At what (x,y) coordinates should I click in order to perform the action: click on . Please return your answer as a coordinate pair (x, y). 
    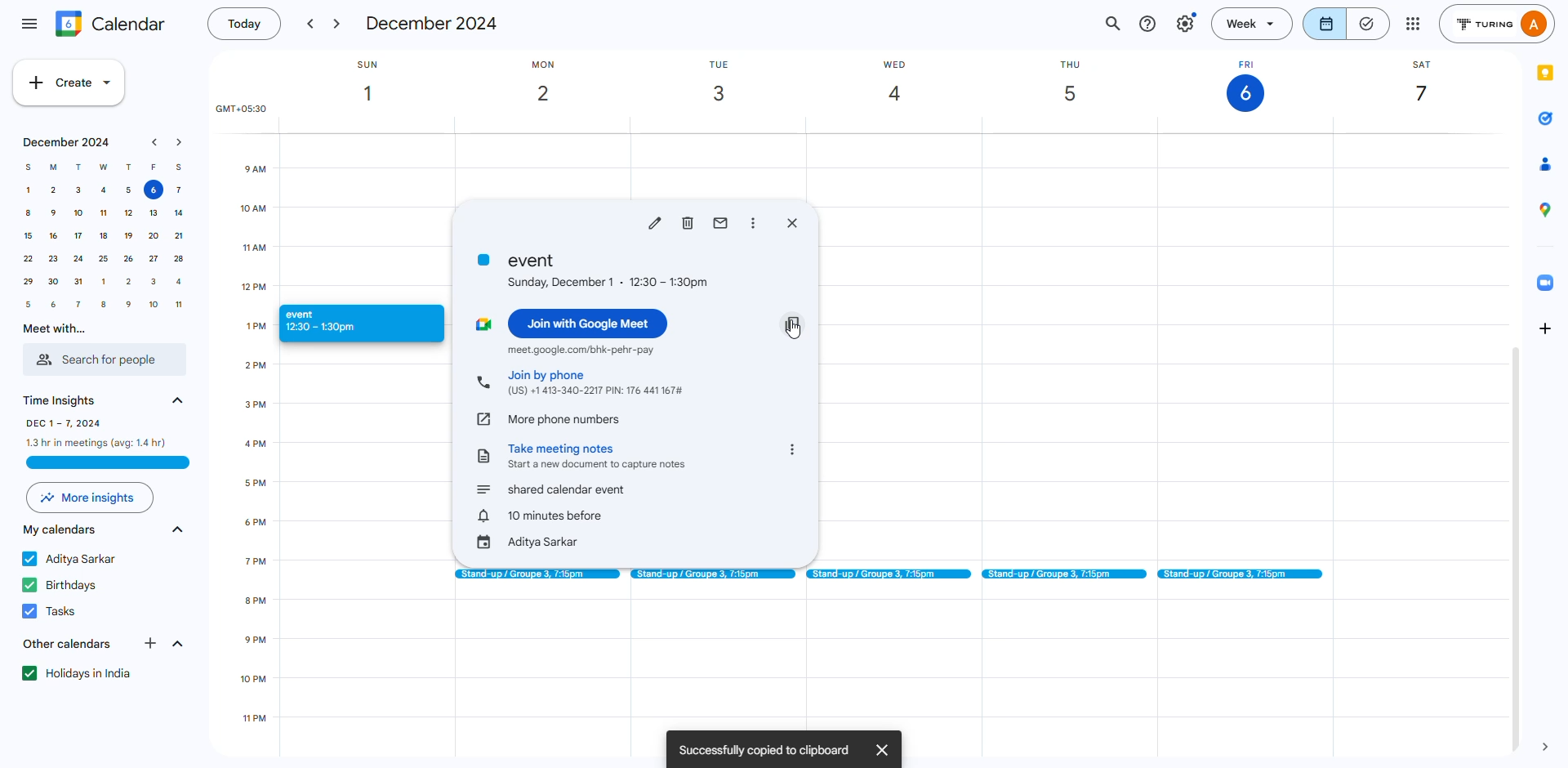
    Looking at the image, I should click on (882, 751).